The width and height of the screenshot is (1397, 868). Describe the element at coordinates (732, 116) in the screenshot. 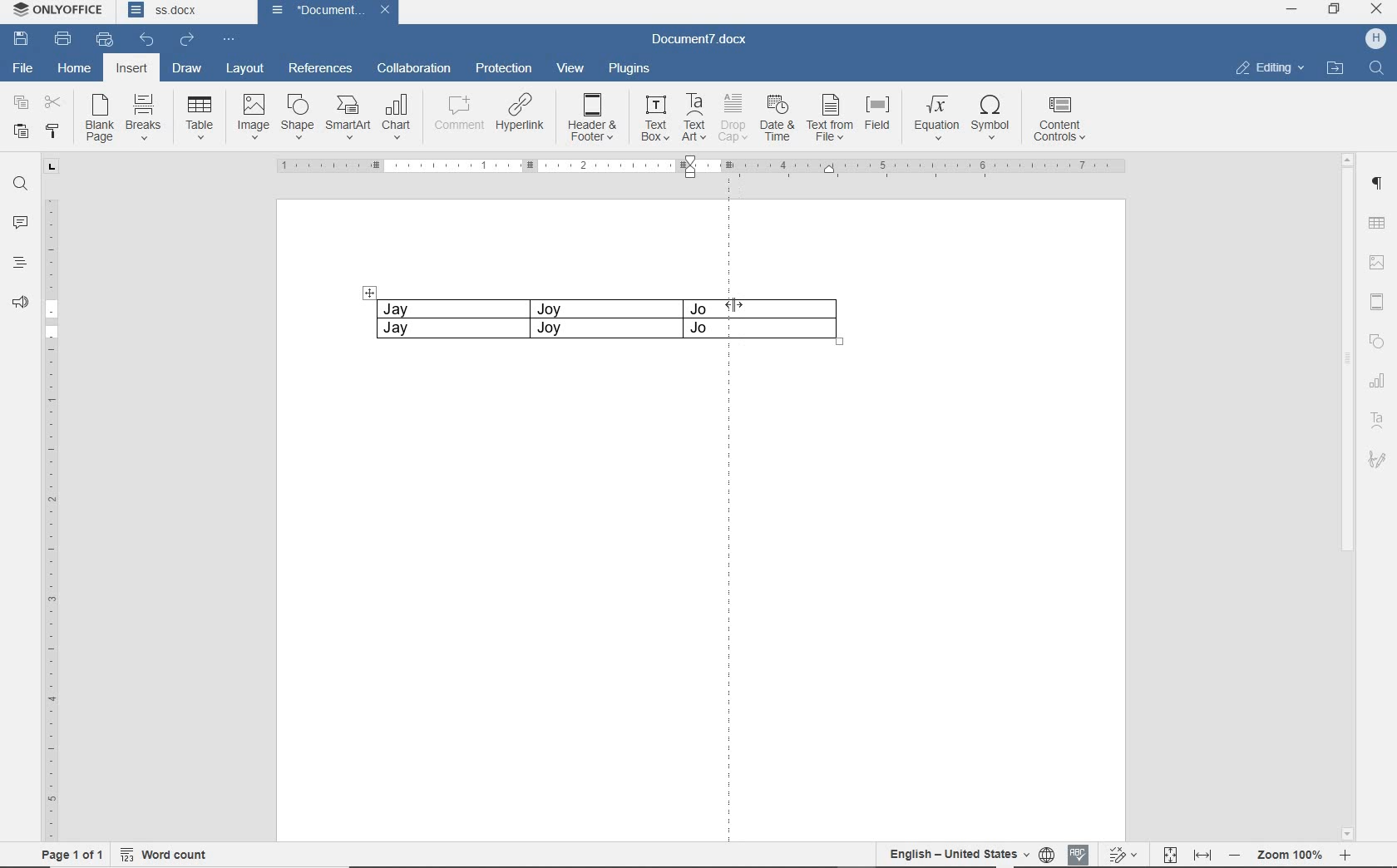

I see `DROP CAP` at that location.